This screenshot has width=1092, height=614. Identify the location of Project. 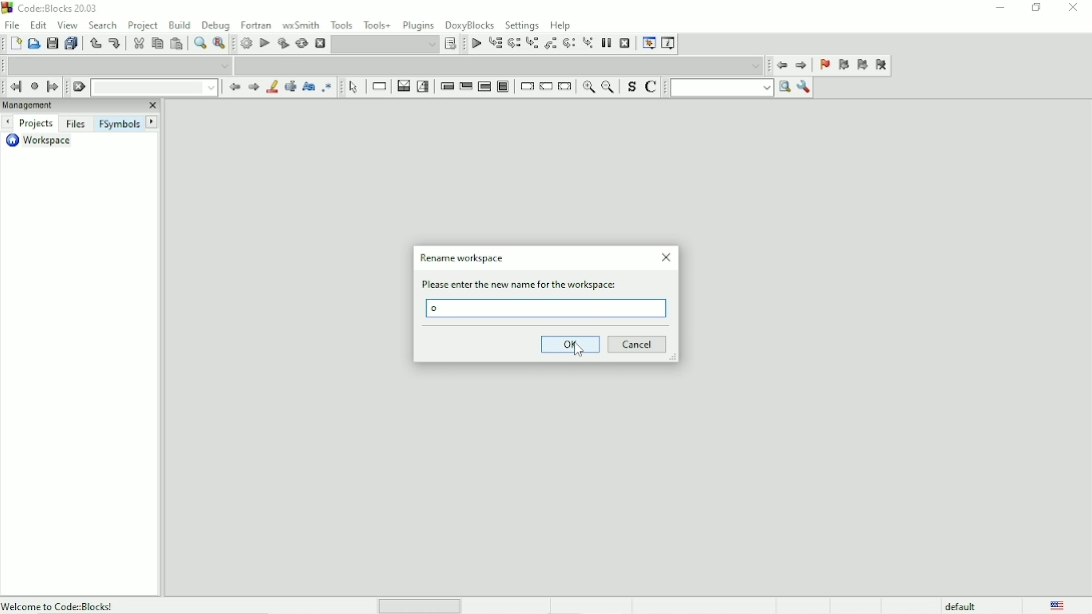
(144, 25).